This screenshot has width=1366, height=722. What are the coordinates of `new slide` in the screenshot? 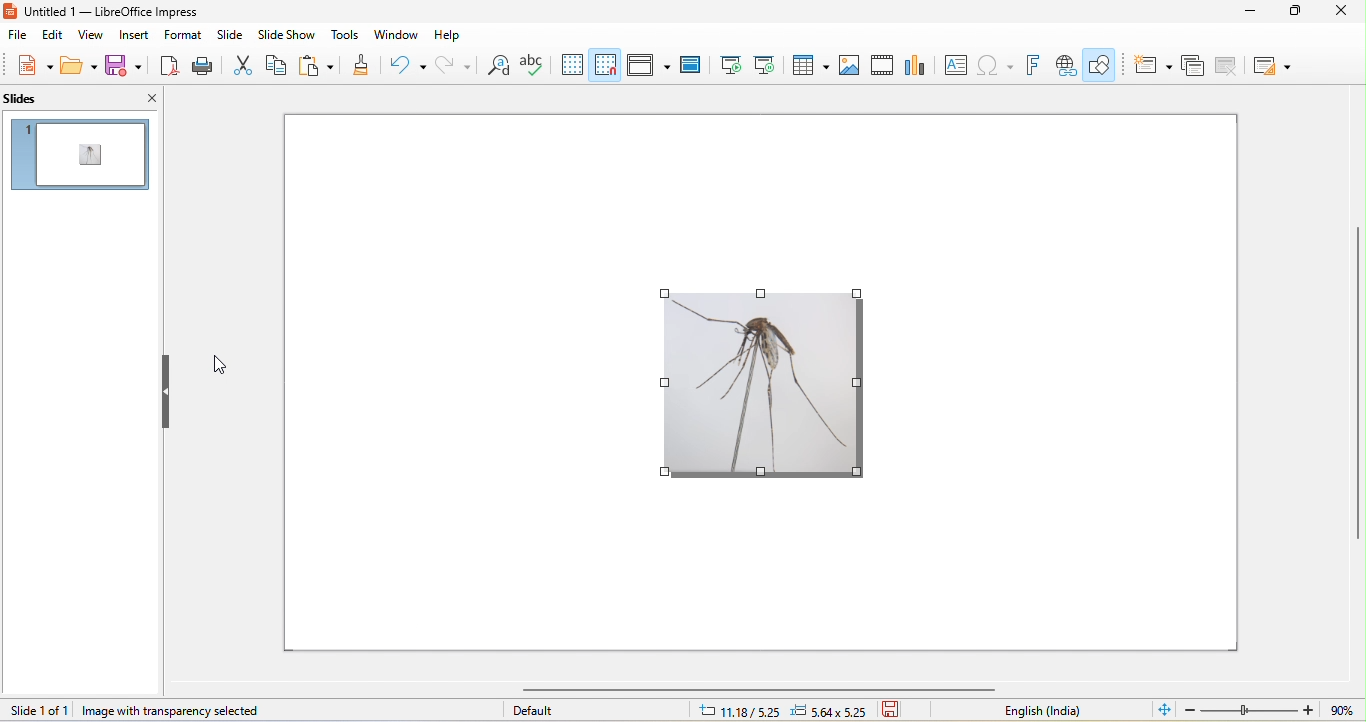 It's located at (1148, 64).